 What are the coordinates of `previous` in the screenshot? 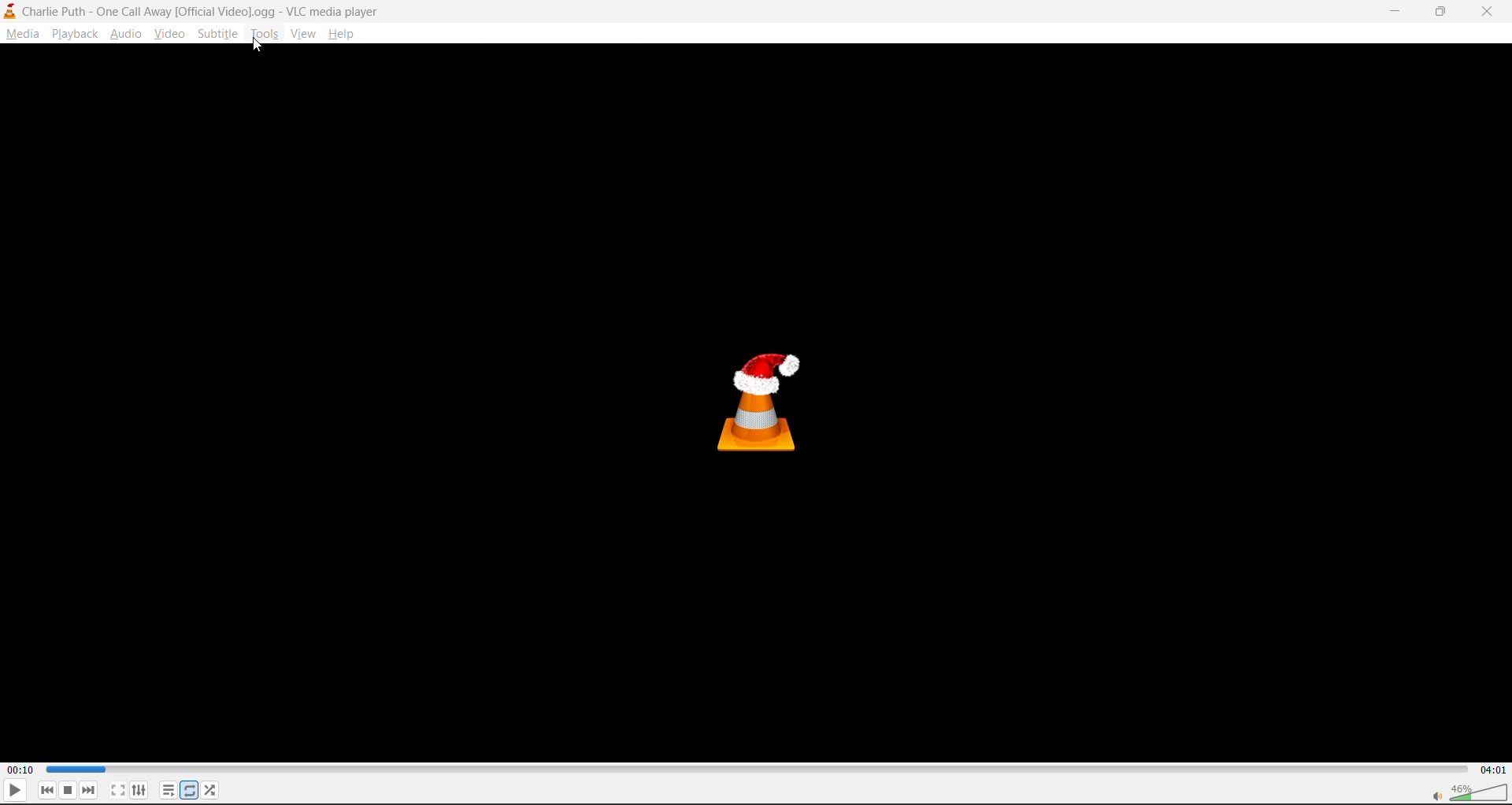 It's located at (46, 791).